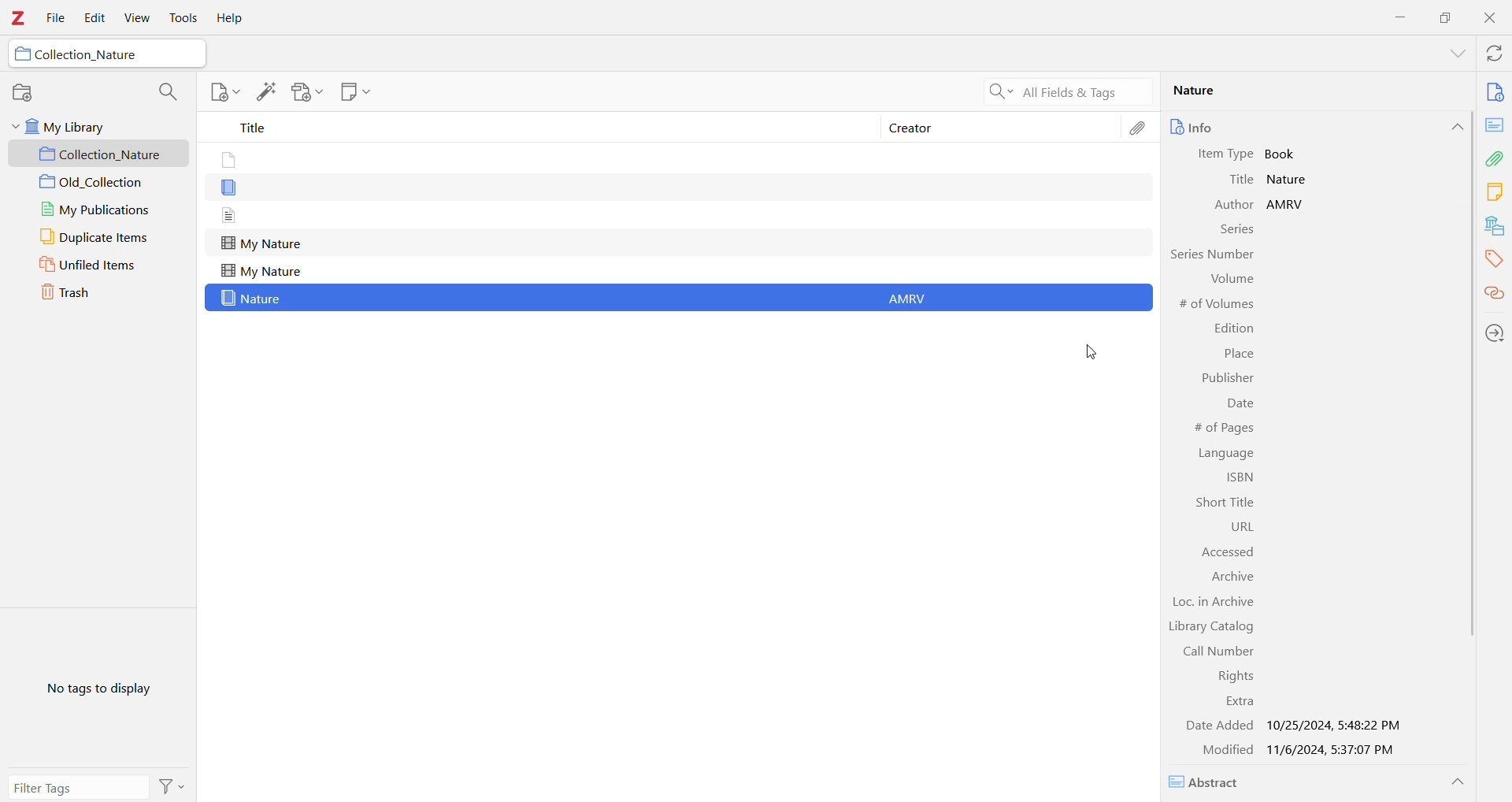  Describe the element at coordinates (87, 54) in the screenshot. I see `Collection_Nature` at that location.